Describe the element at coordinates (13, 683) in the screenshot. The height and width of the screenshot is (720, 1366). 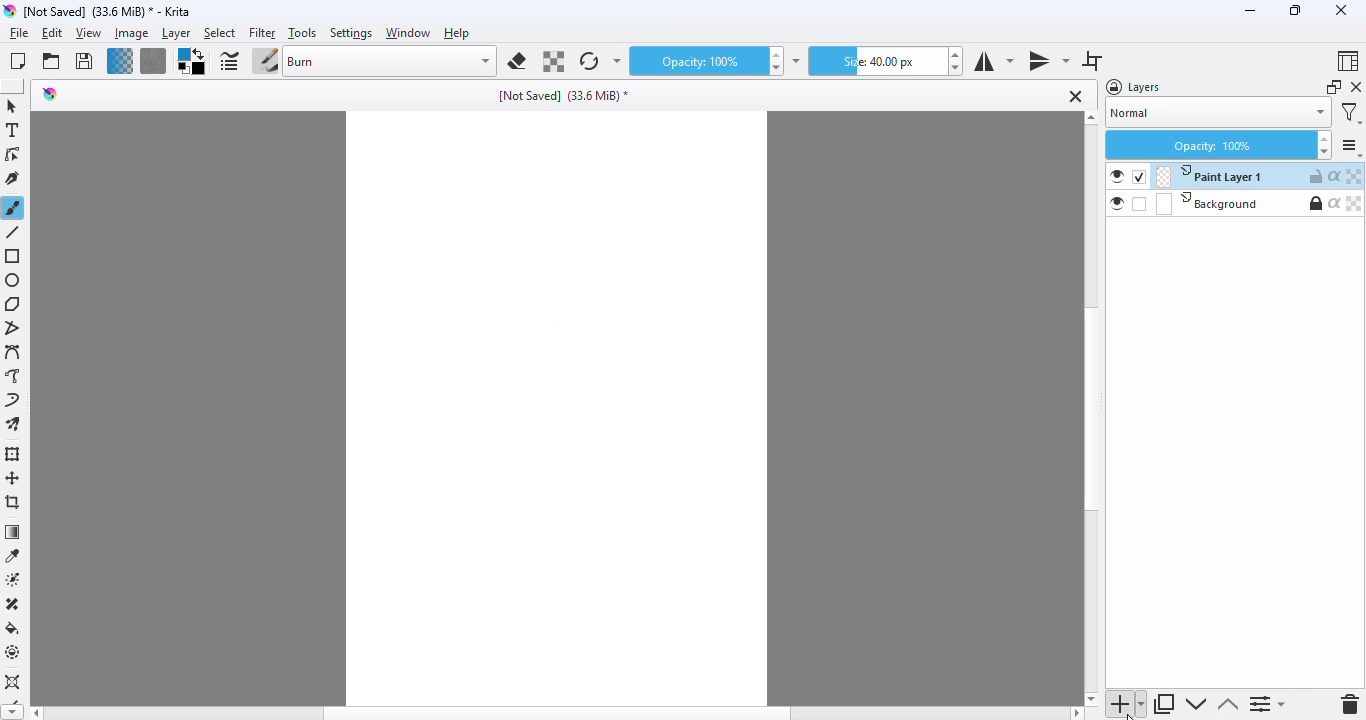
I see `assistant tool` at that location.